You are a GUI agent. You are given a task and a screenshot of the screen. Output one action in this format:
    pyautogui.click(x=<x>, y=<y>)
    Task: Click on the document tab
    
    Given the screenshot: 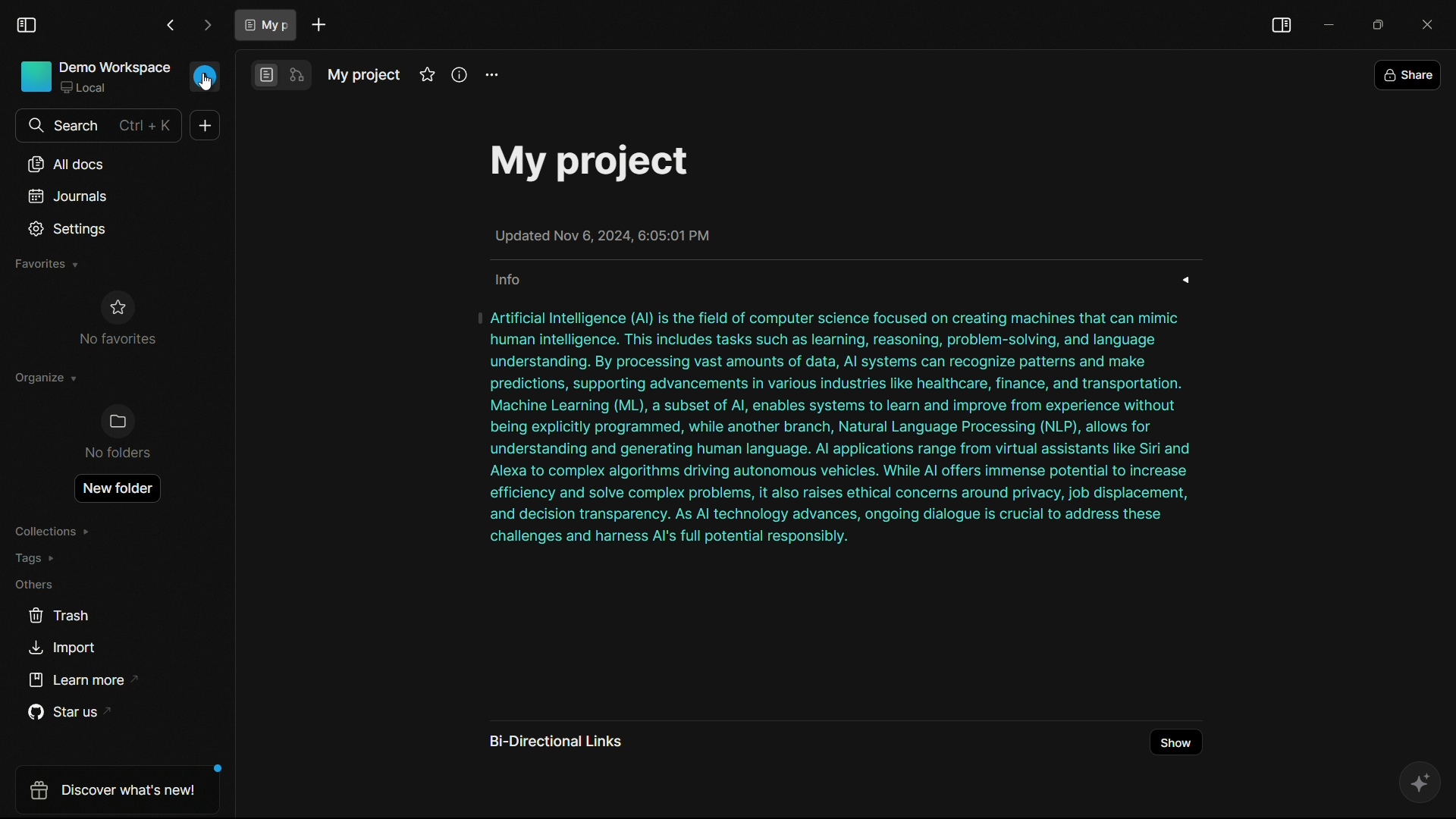 What is the action you would take?
    pyautogui.click(x=265, y=24)
    